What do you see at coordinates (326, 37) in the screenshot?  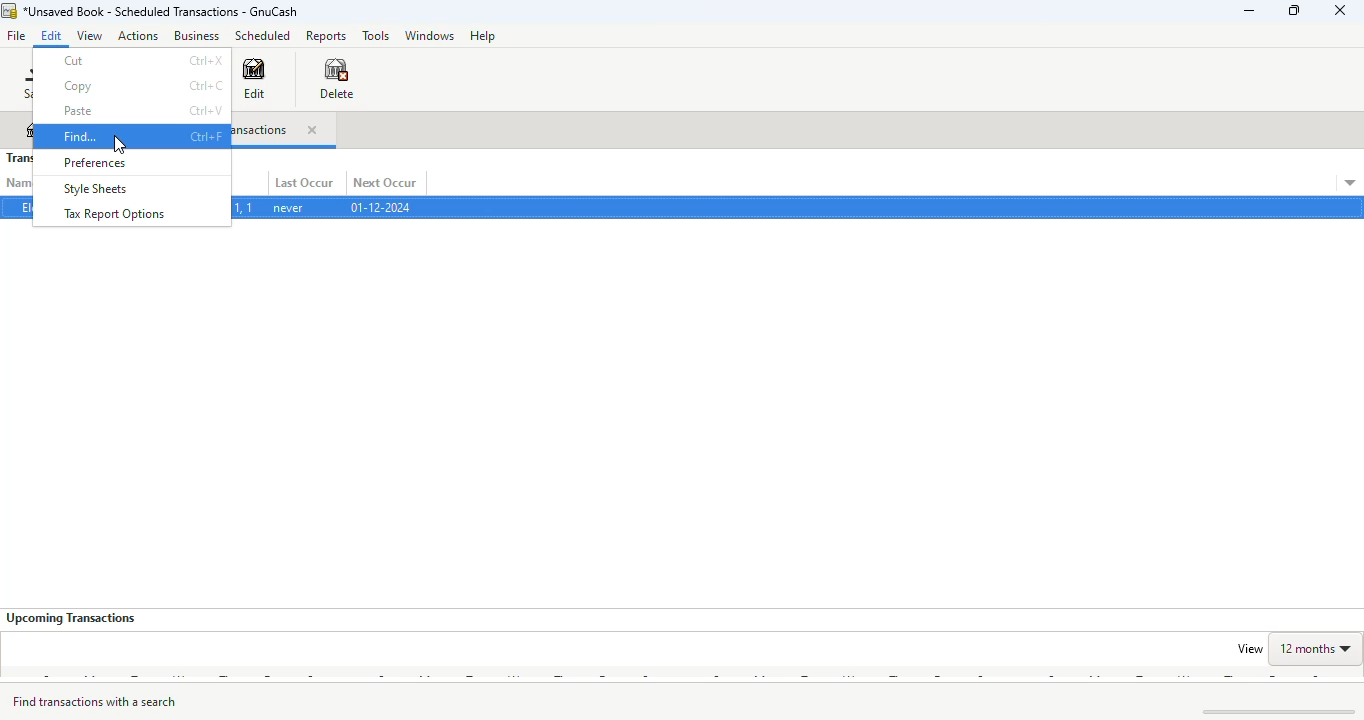 I see `reports` at bounding box center [326, 37].